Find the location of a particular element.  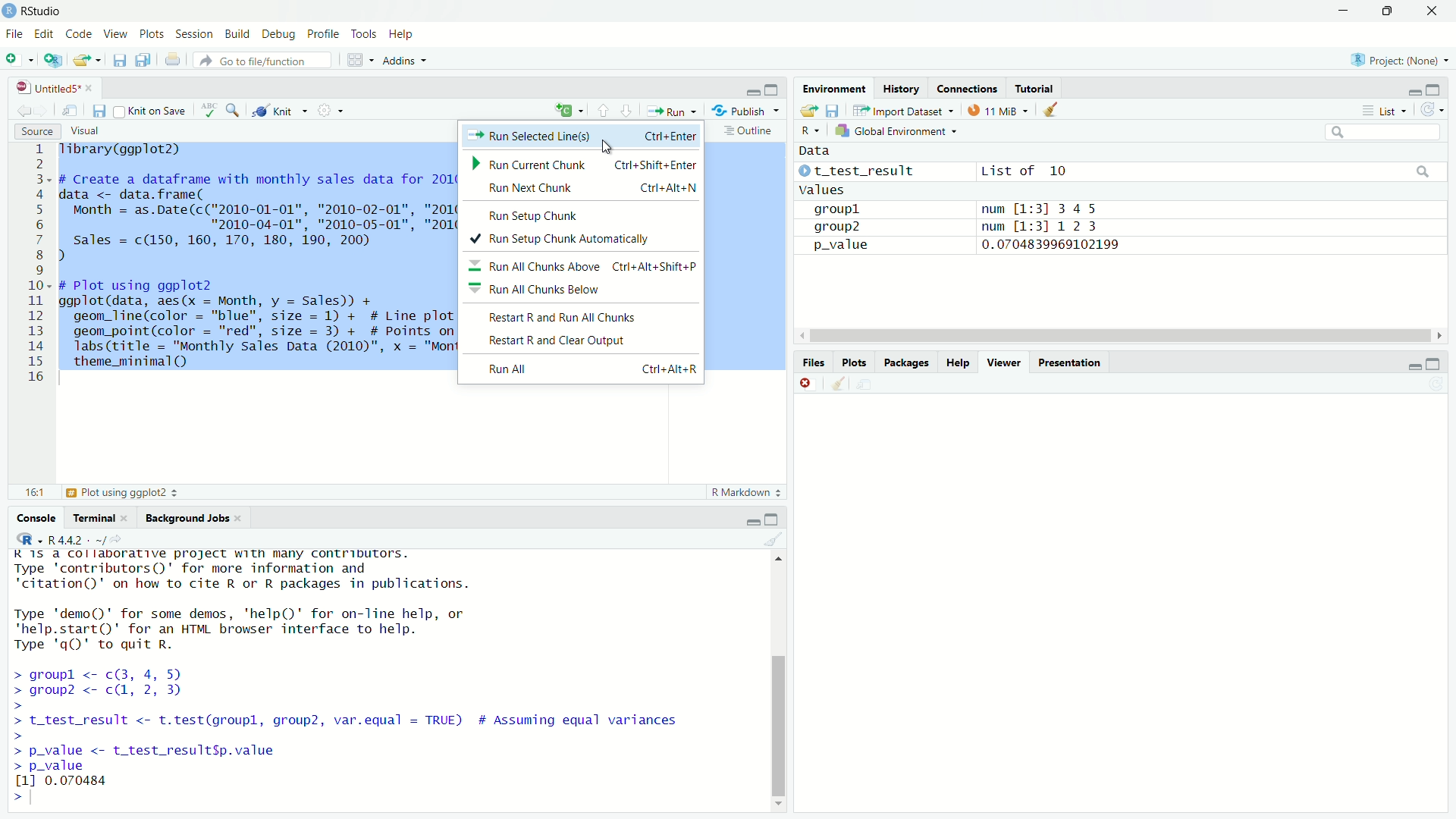

15:18 is located at coordinates (34, 493).